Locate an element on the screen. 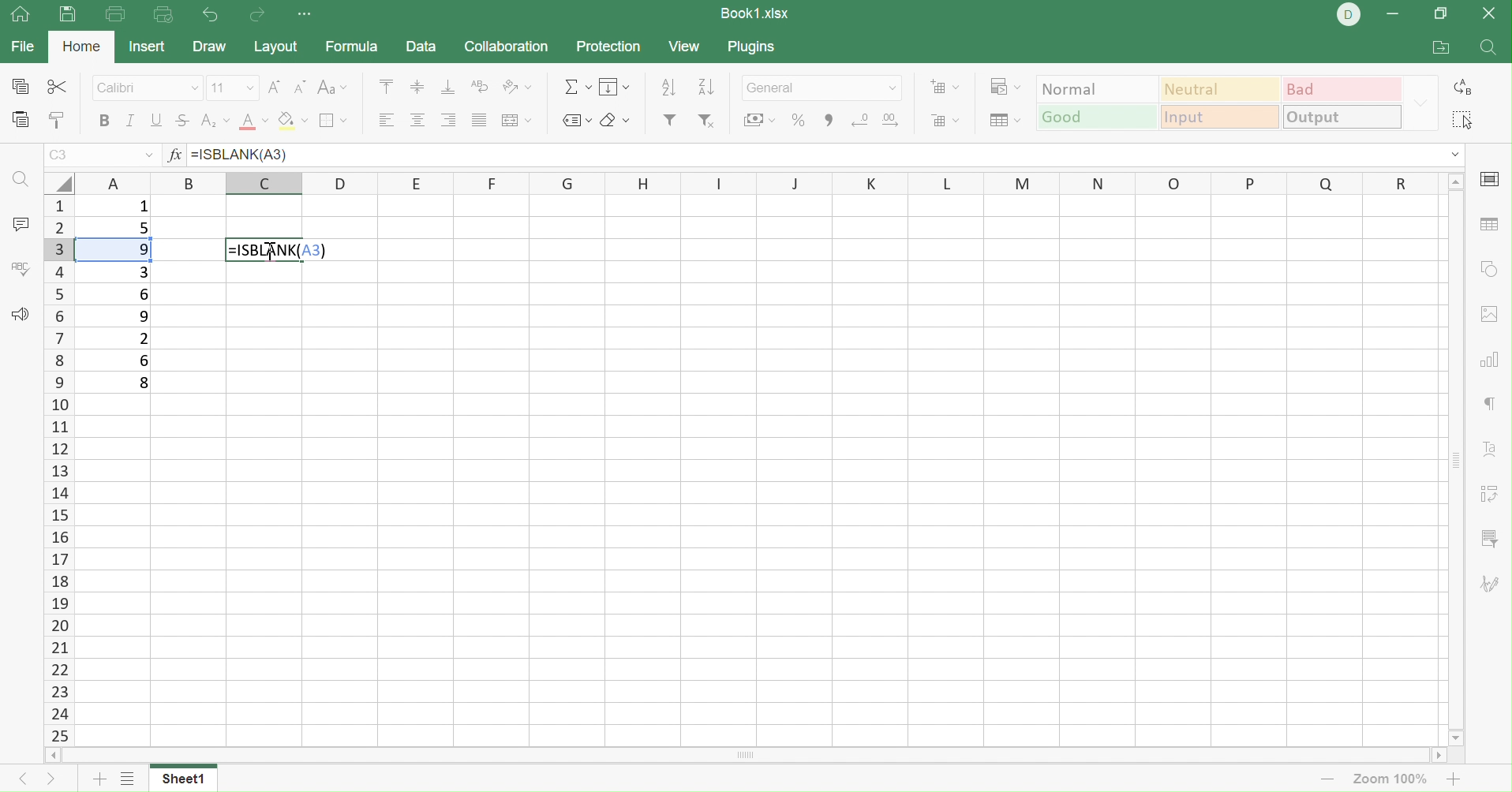 The width and height of the screenshot is (1512, 792). Scroll left is located at coordinates (52, 755).